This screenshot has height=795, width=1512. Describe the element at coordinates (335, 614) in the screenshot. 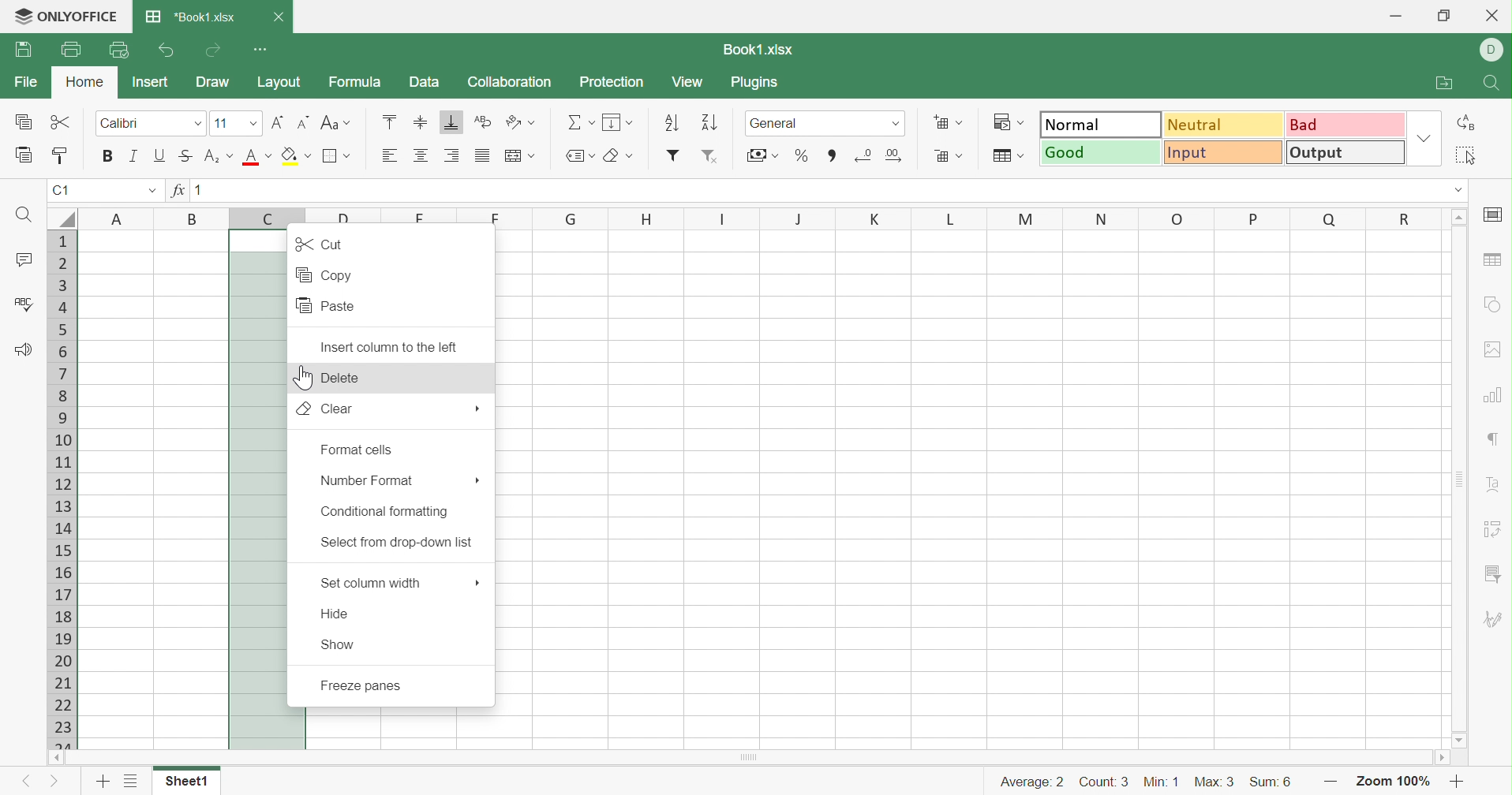

I see `Hide` at that location.